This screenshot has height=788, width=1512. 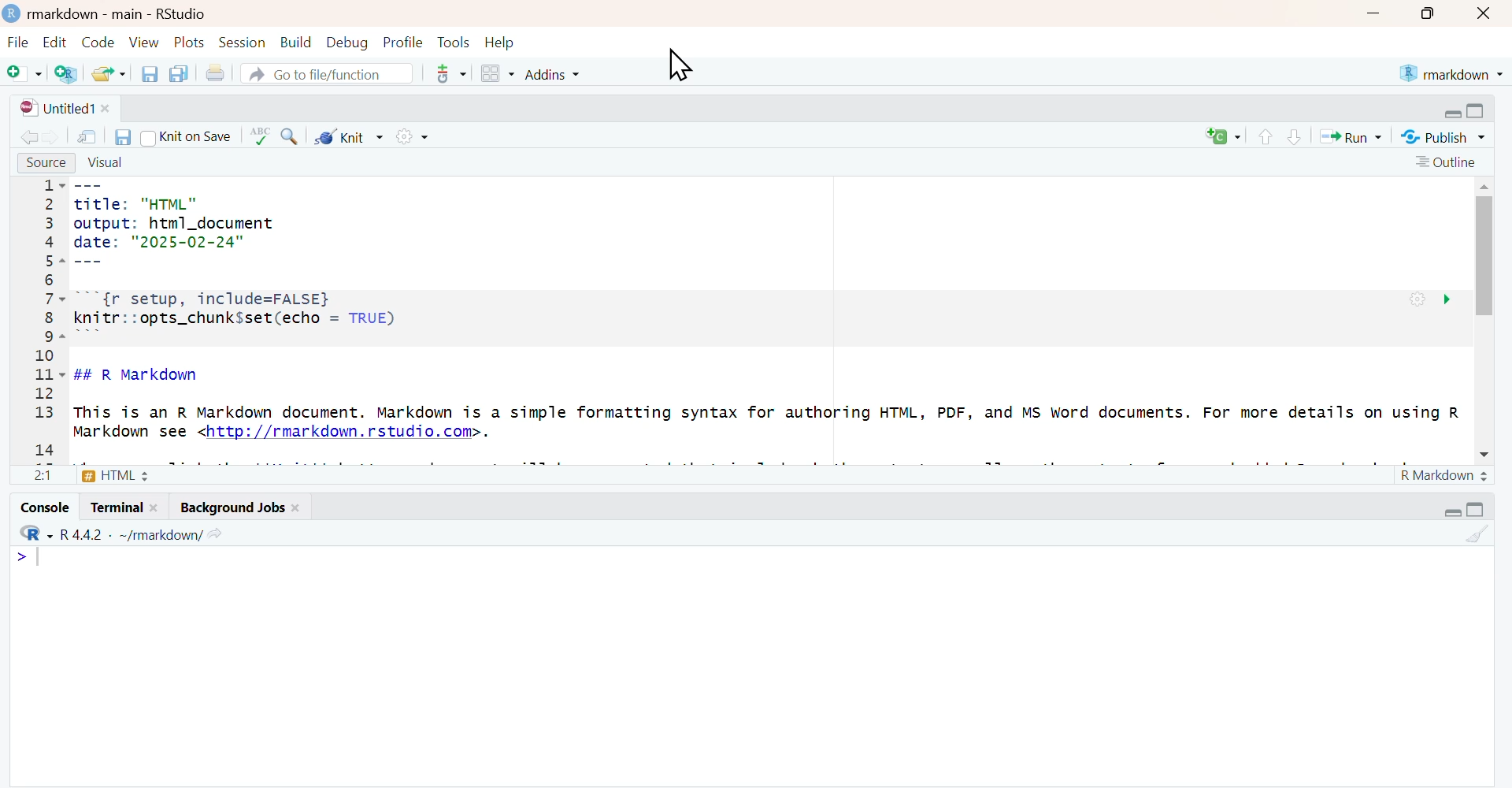 I want to click on minimize, so click(x=1451, y=513).